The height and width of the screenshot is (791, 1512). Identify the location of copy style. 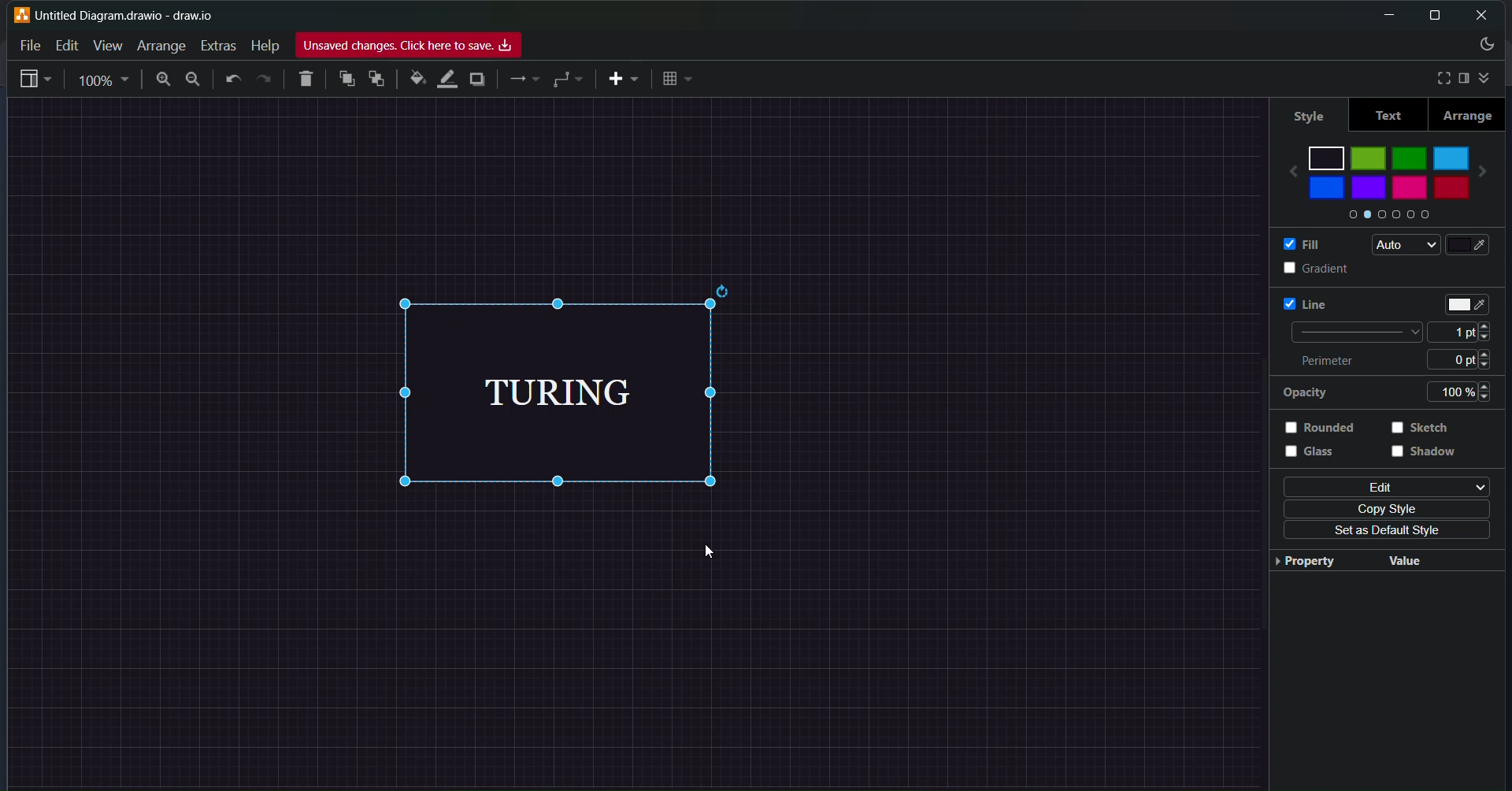
(1390, 508).